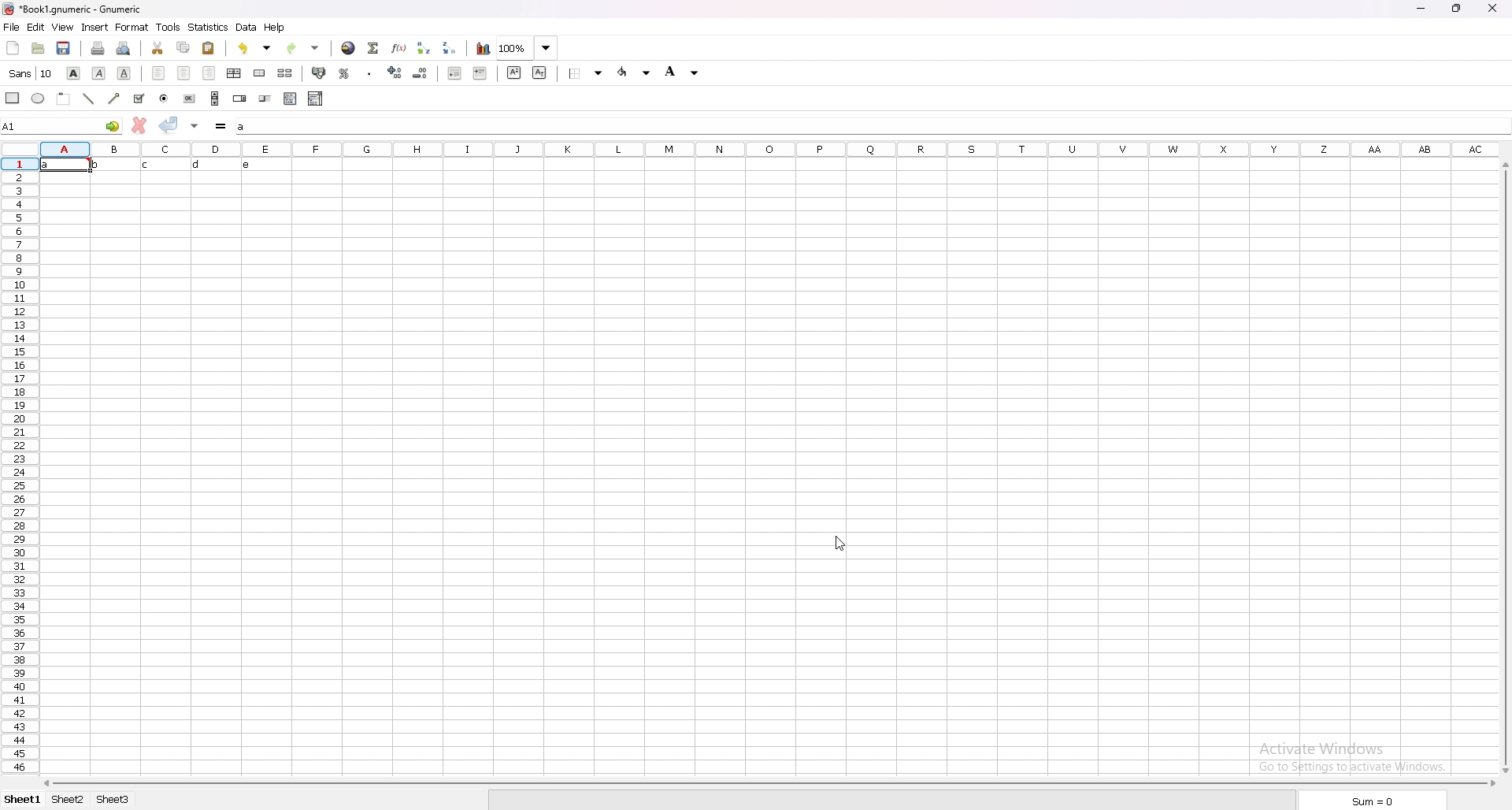 This screenshot has height=810, width=1512. Describe the element at coordinates (20, 466) in the screenshot. I see `rows` at that location.